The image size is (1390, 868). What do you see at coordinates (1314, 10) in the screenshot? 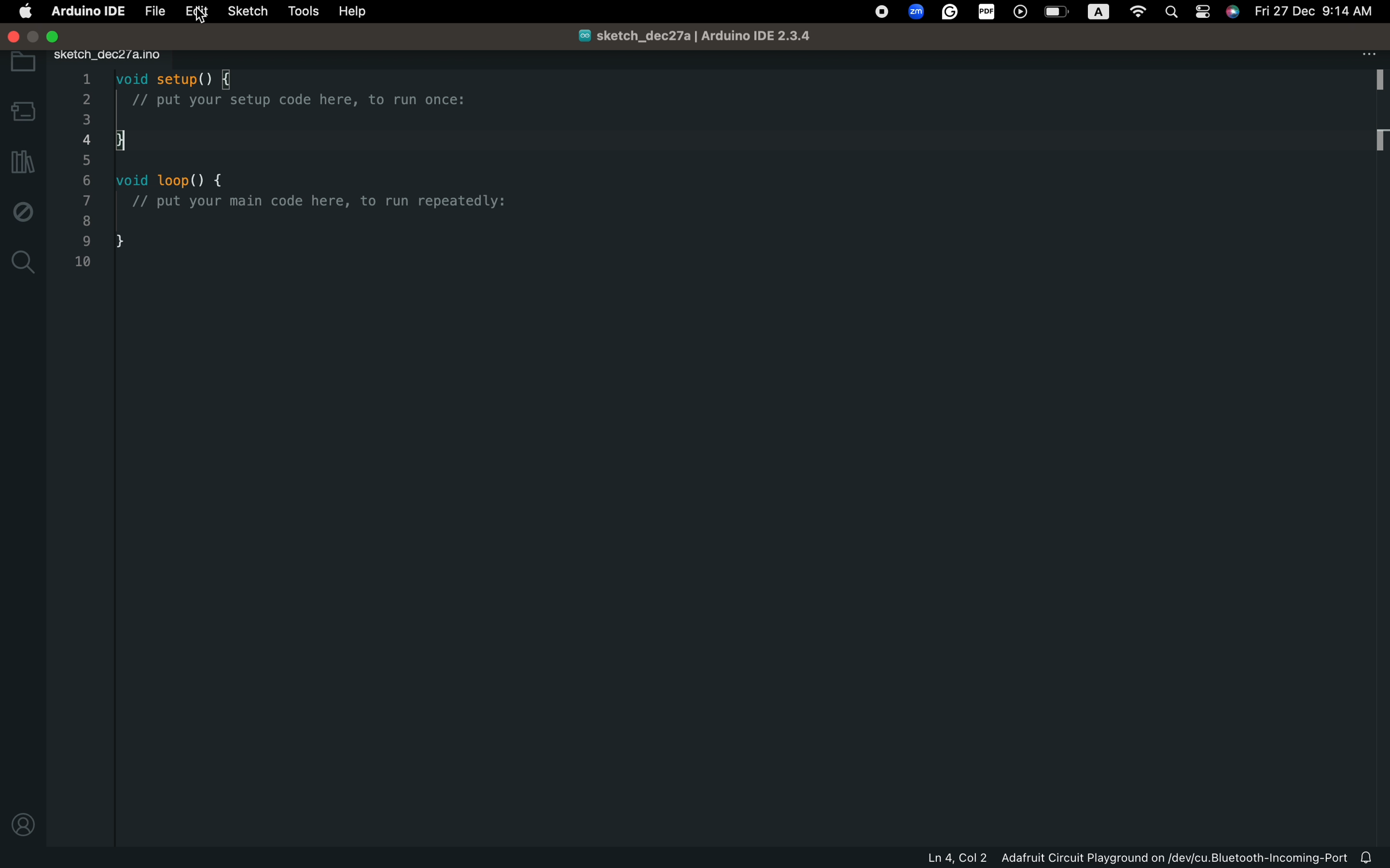
I see `Fri 27 Dec 9:14 AM` at bounding box center [1314, 10].